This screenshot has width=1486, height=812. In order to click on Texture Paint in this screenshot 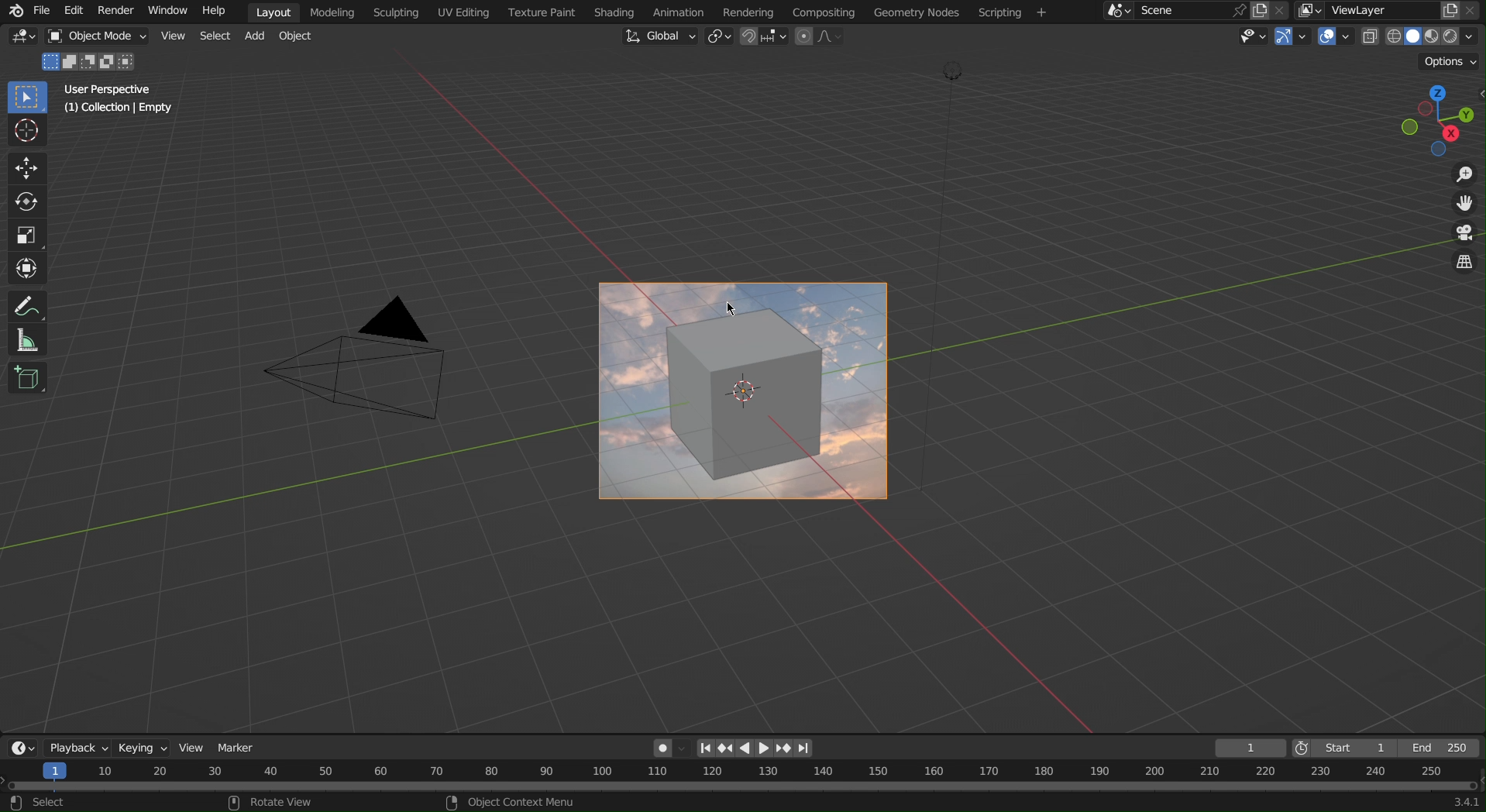, I will do `click(538, 12)`.